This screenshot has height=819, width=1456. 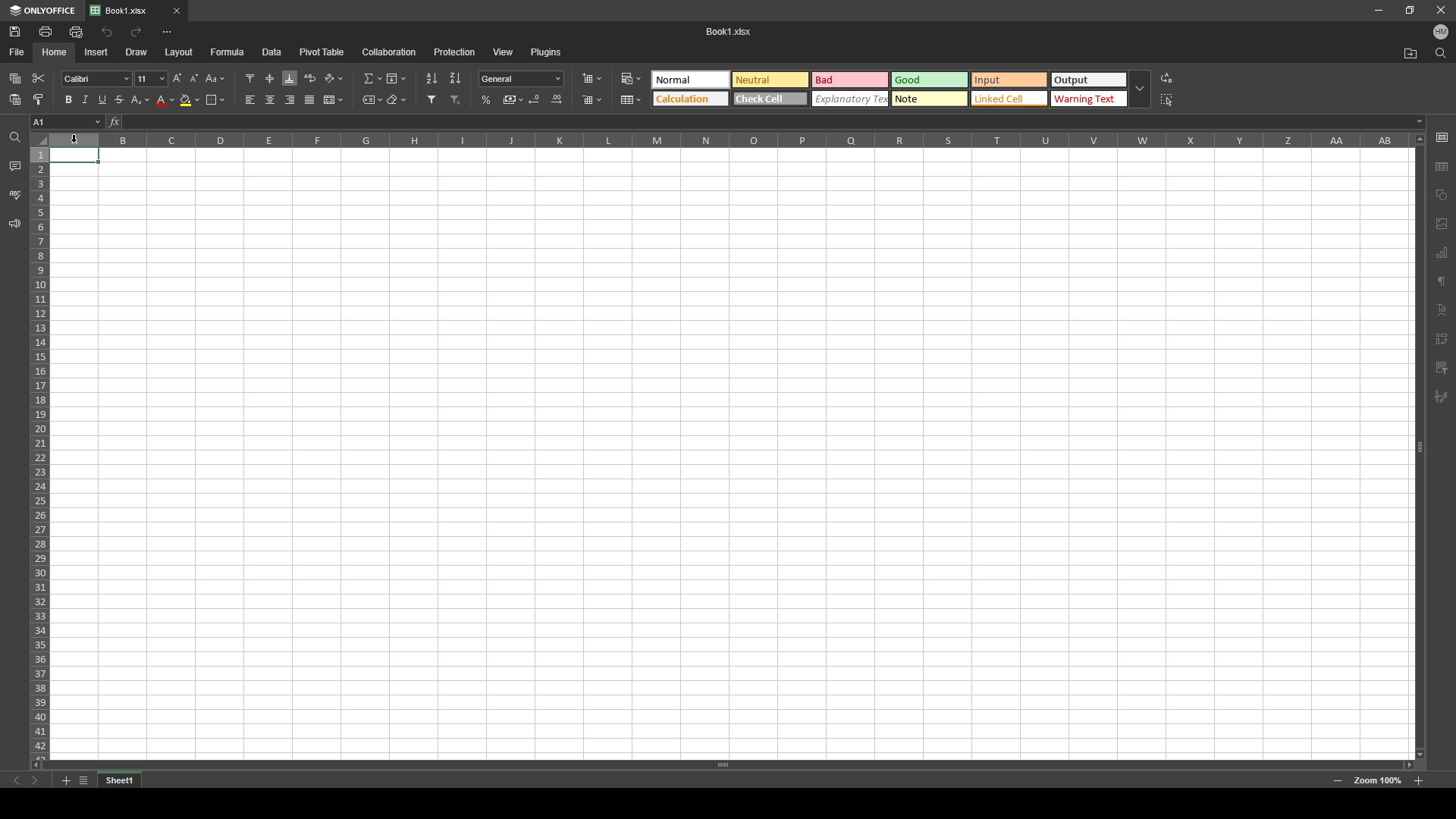 I want to click on table, so click(x=1442, y=166).